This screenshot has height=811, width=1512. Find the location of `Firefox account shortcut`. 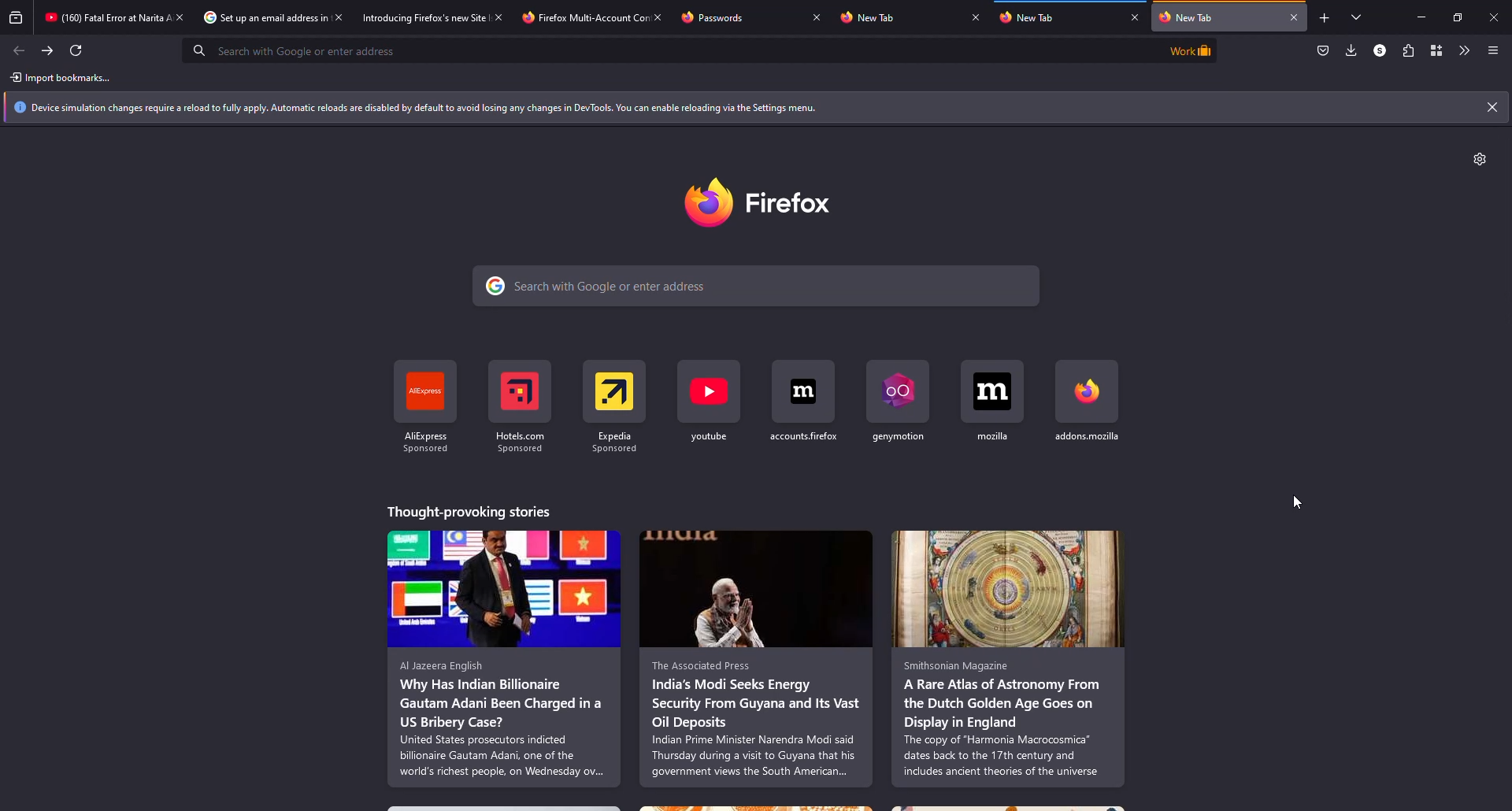

Firefox account shortcut is located at coordinates (803, 402).